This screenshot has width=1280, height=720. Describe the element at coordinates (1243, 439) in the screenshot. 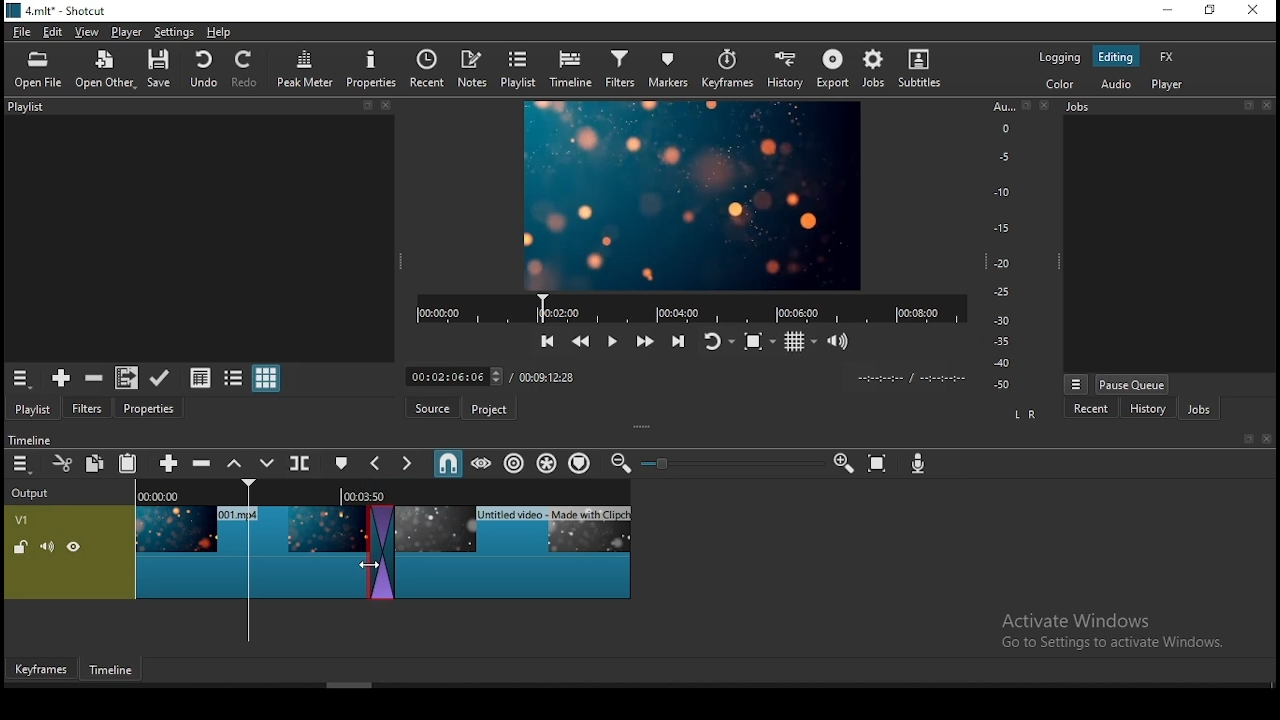

I see `bookmark` at that location.